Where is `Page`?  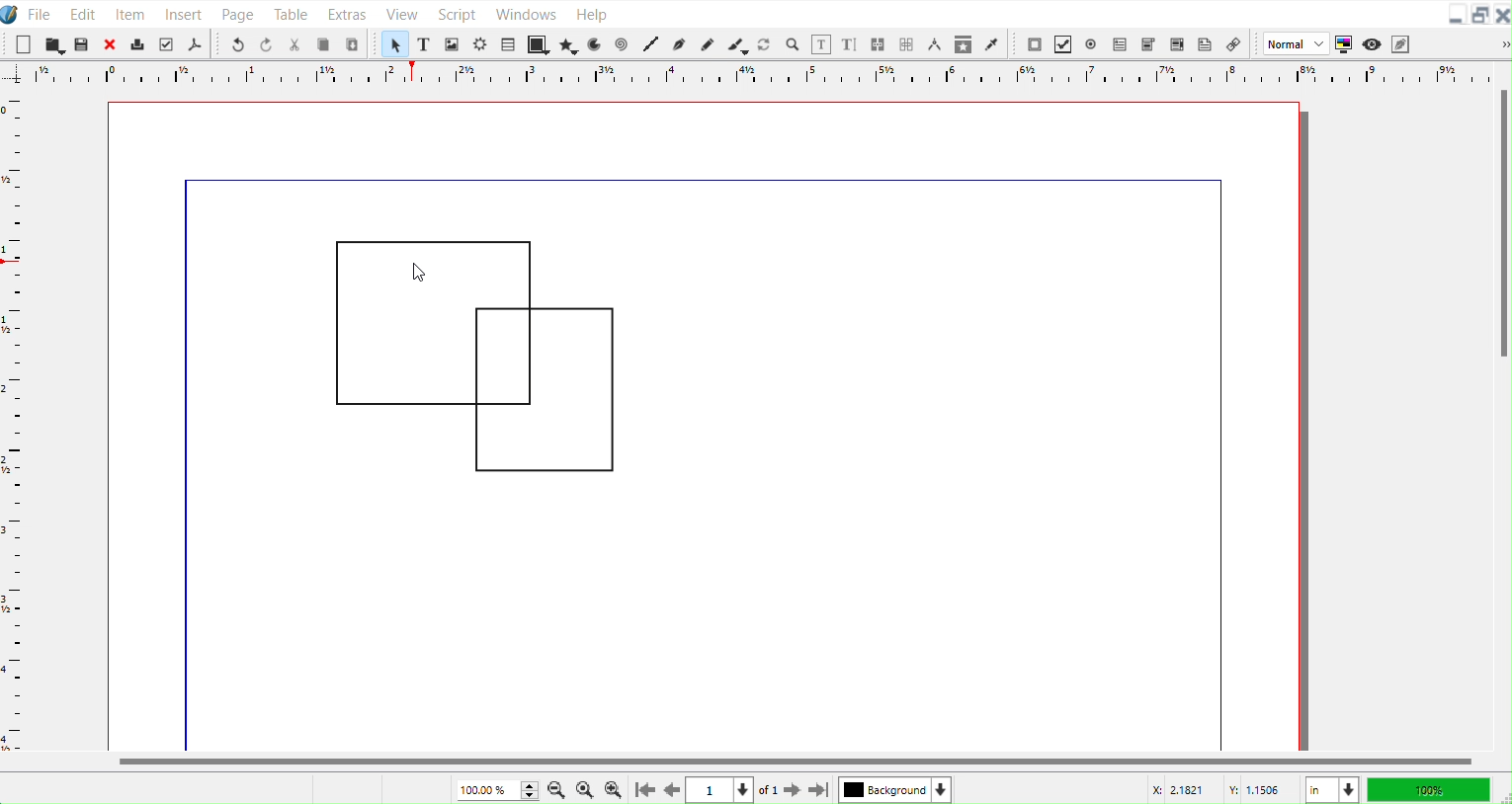
Page is located at coordinates (236, 13).